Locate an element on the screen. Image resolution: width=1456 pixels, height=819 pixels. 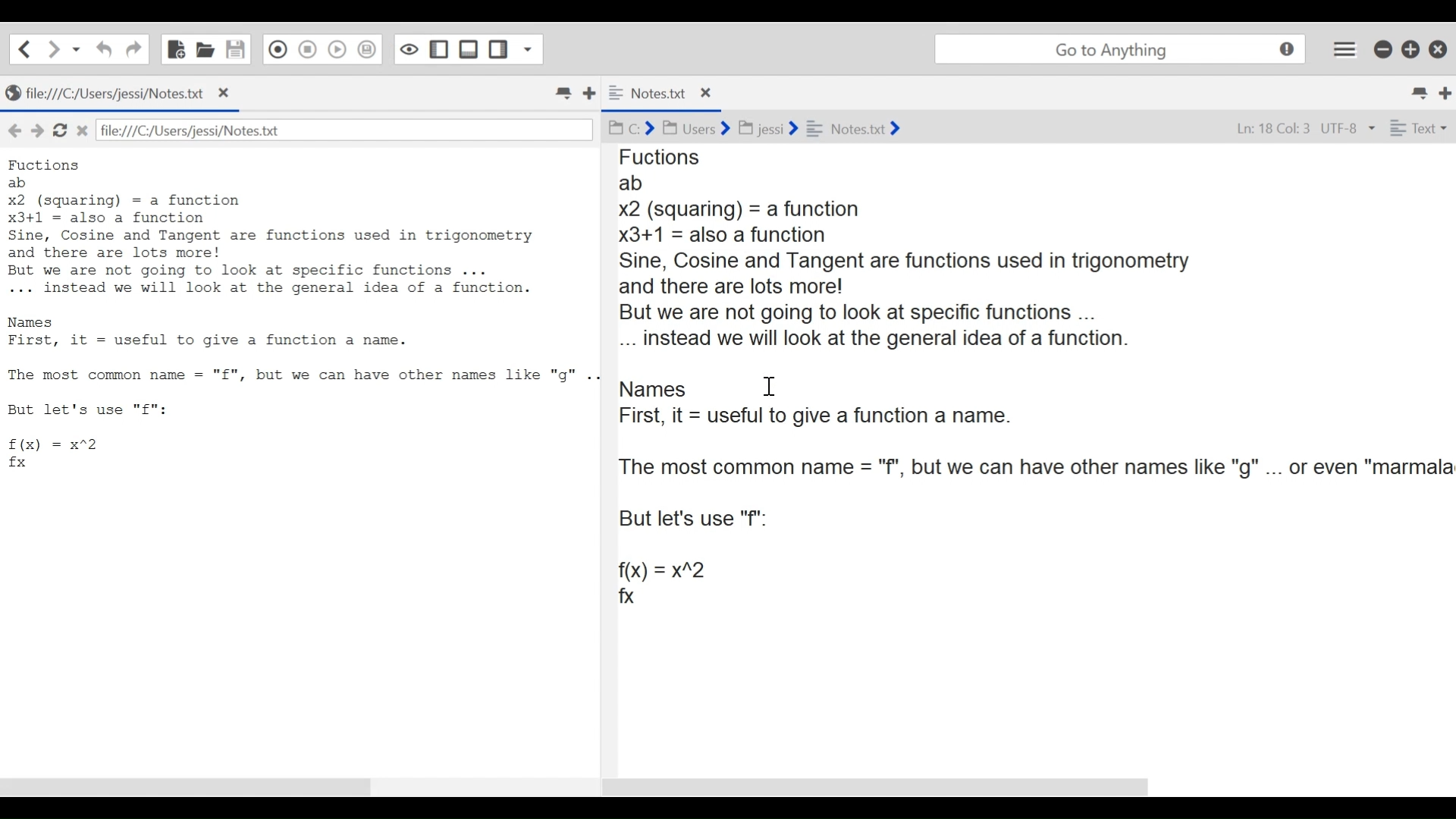
Redo the last action is located at coordinates (104, 50).